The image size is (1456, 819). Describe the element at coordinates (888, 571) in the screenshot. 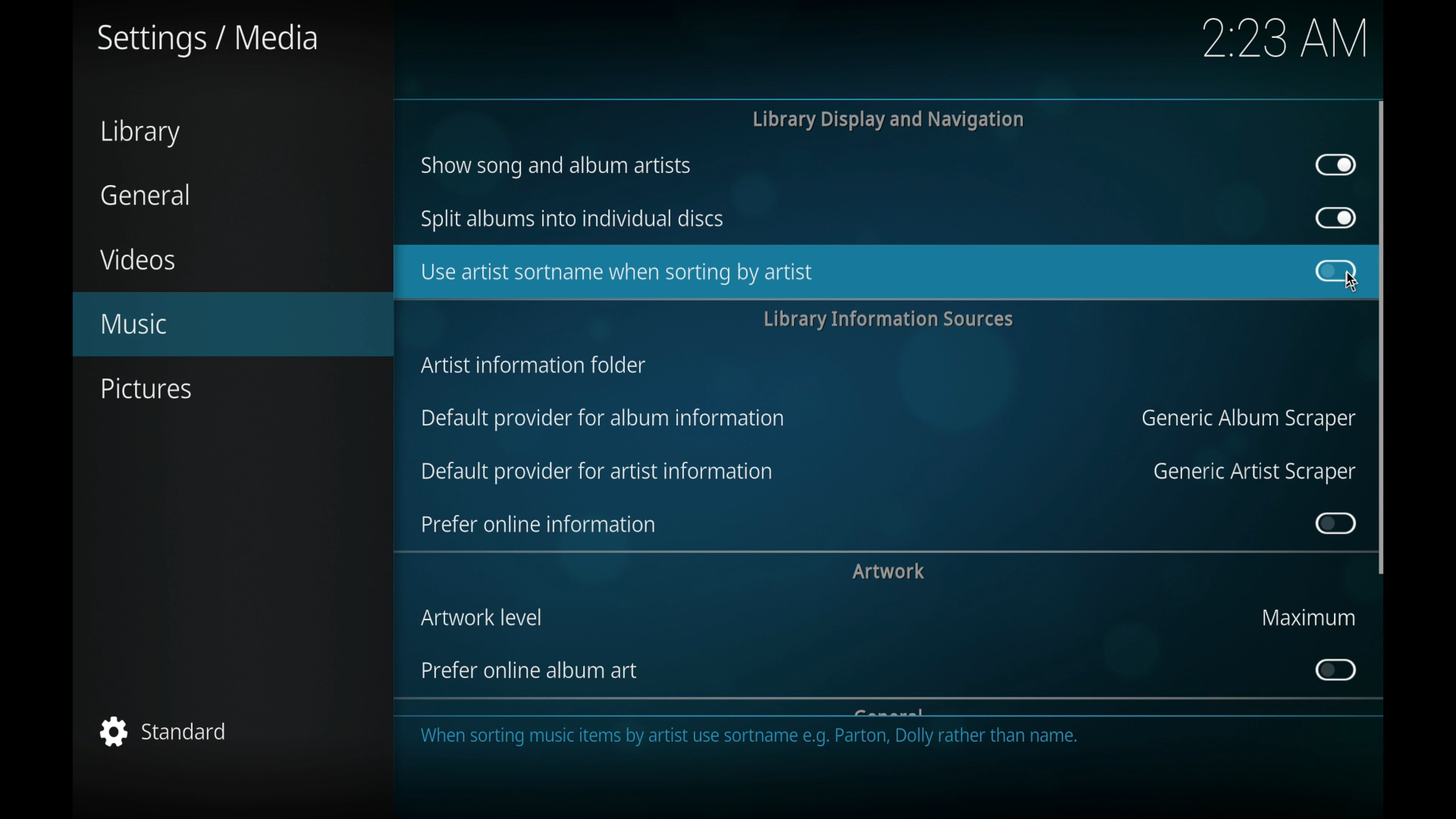

I see `artwork` at that location.